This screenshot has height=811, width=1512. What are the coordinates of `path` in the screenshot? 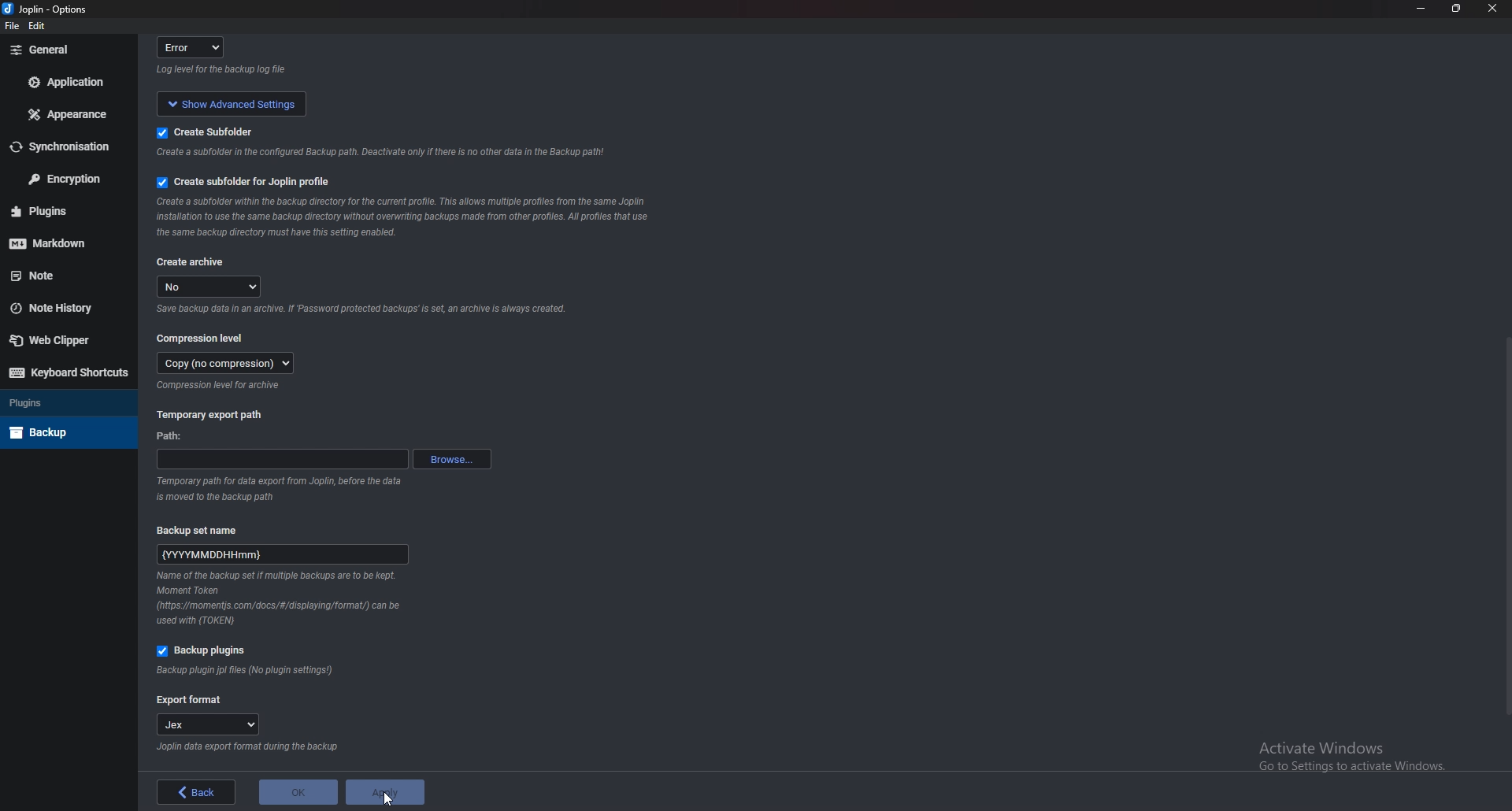 It's located at (174, 438).